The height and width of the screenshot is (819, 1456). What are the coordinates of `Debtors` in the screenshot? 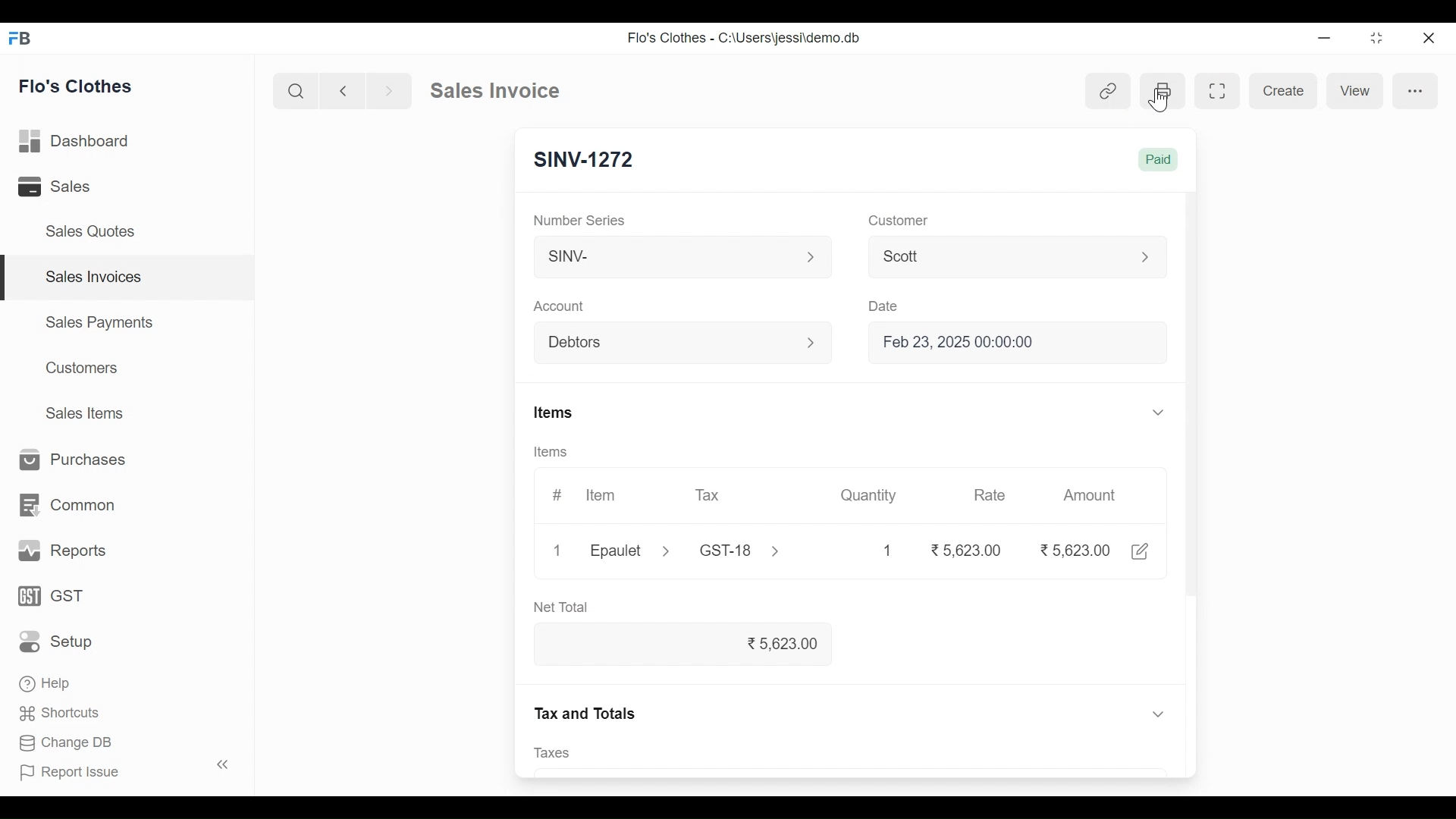 It's located at (663, 345).